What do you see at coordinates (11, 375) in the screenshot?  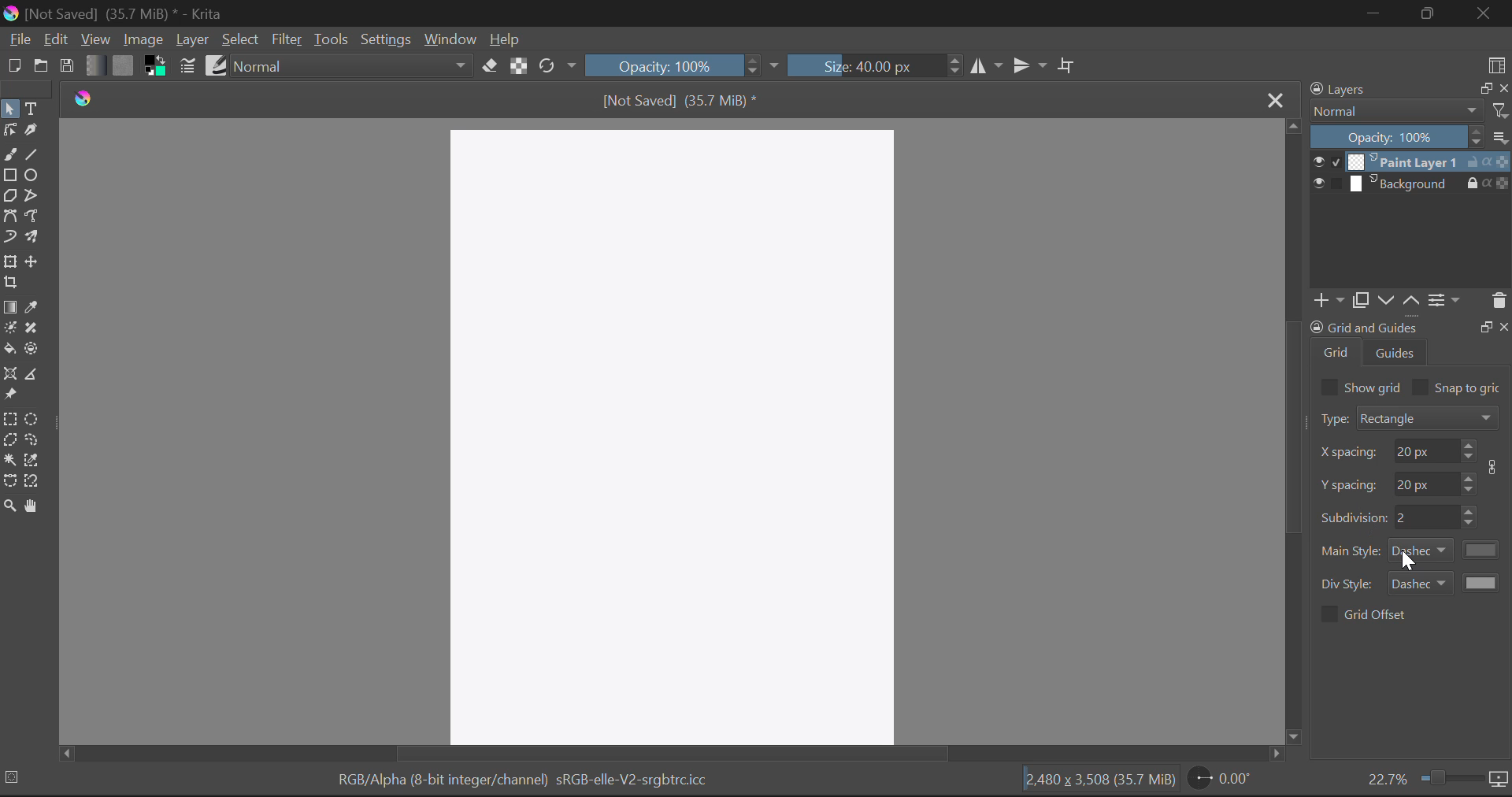 I see `Assistant Tool` at bounding box center [11, 375].